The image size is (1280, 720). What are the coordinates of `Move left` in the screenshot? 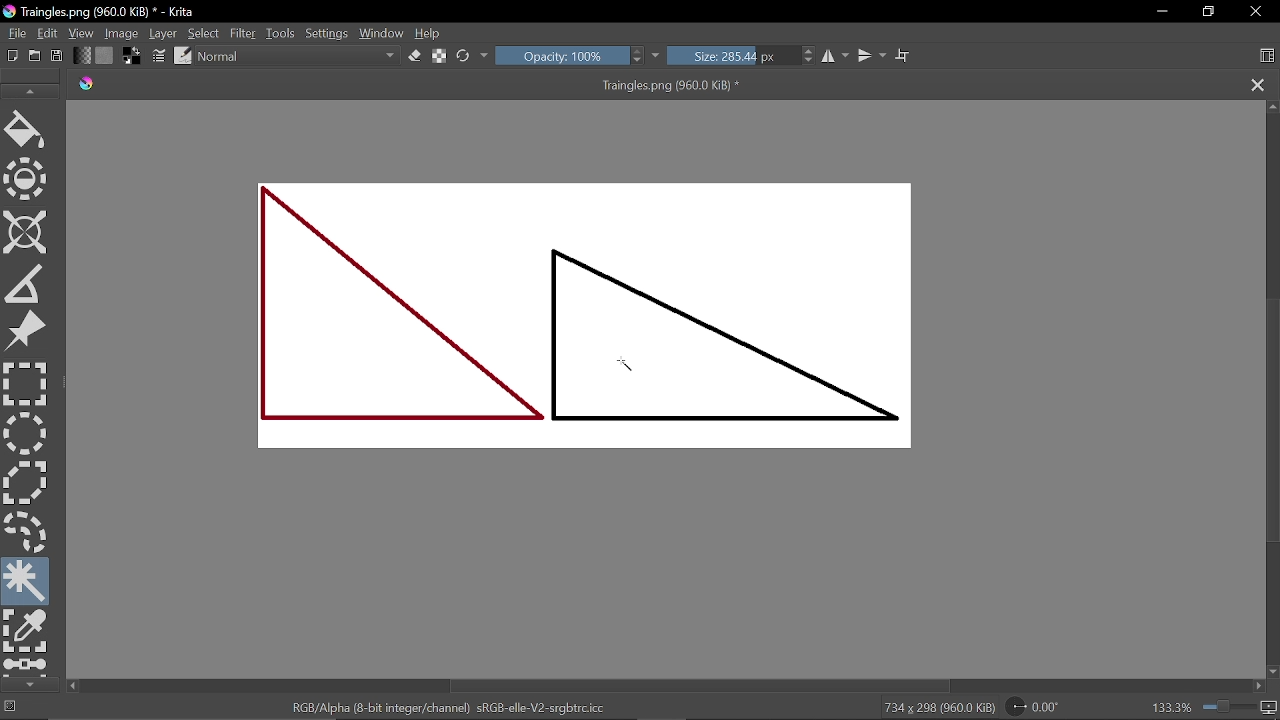 It's located at (72, 686).